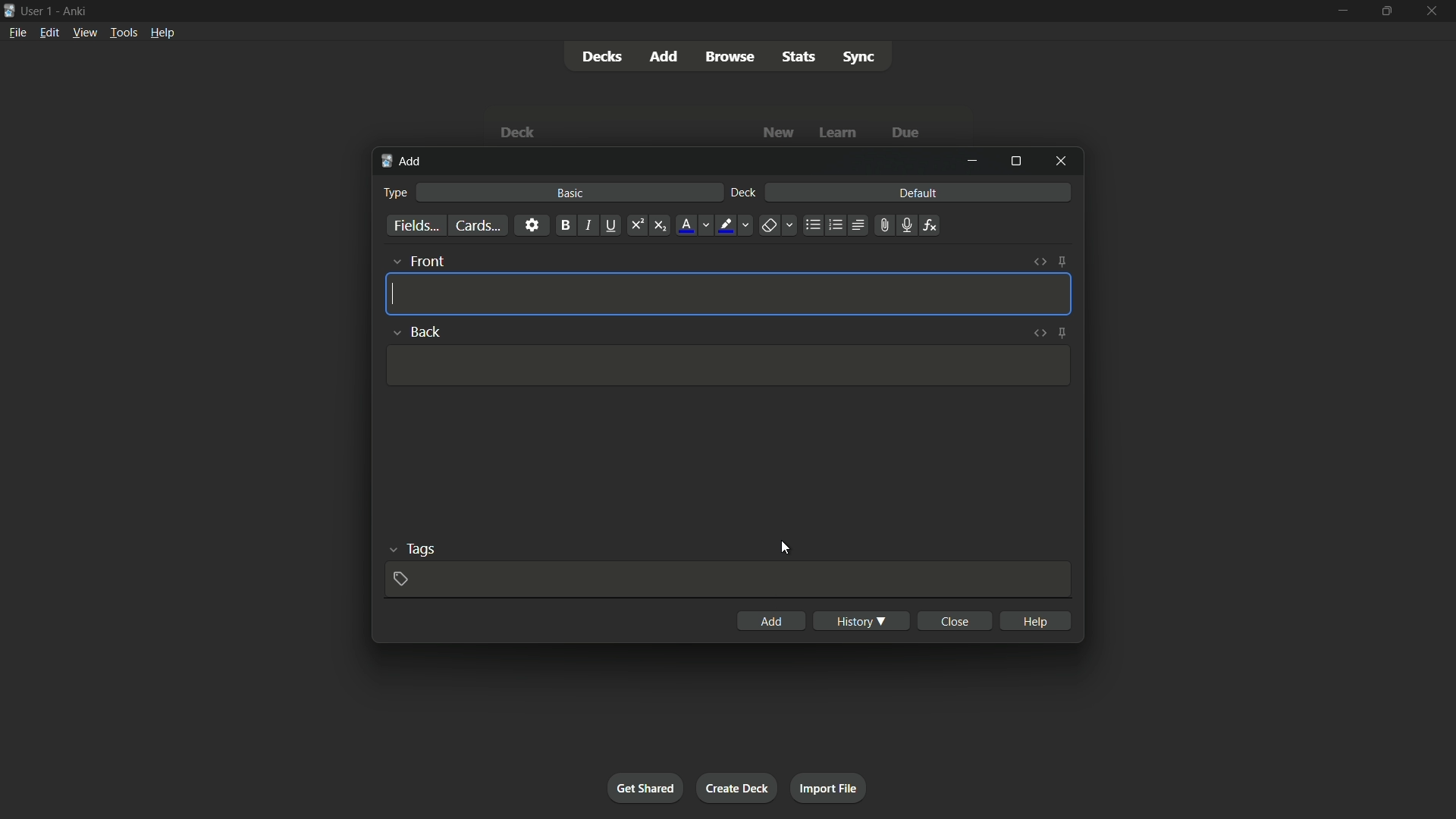 Image resolution: width=1456 pixels, height=819 pixels. What do you see at coordinates (1036, 620) in the screenshot?
I see `help` at bounding box center [1036, 620].